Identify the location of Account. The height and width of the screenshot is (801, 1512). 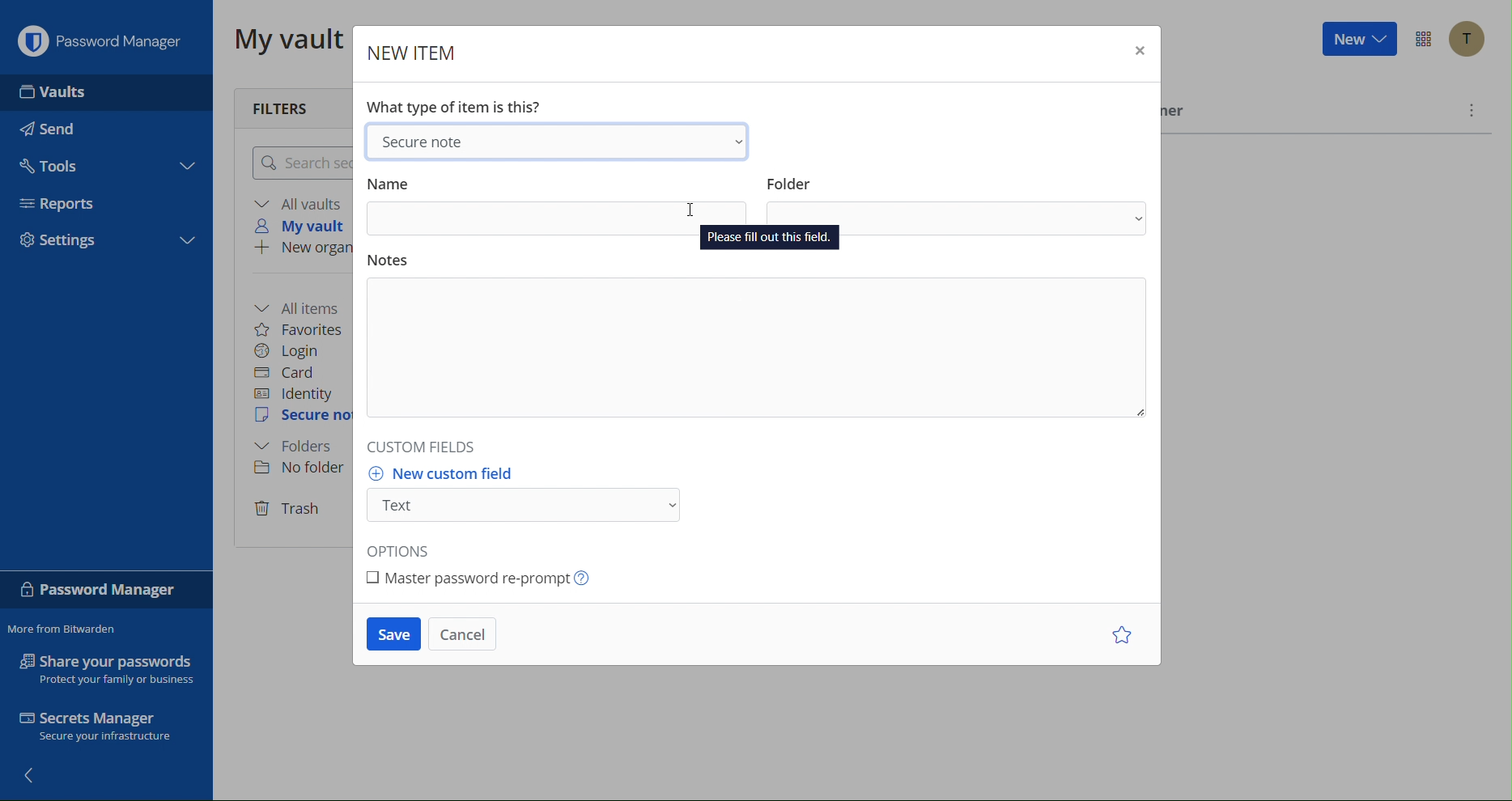
(1466, 39).